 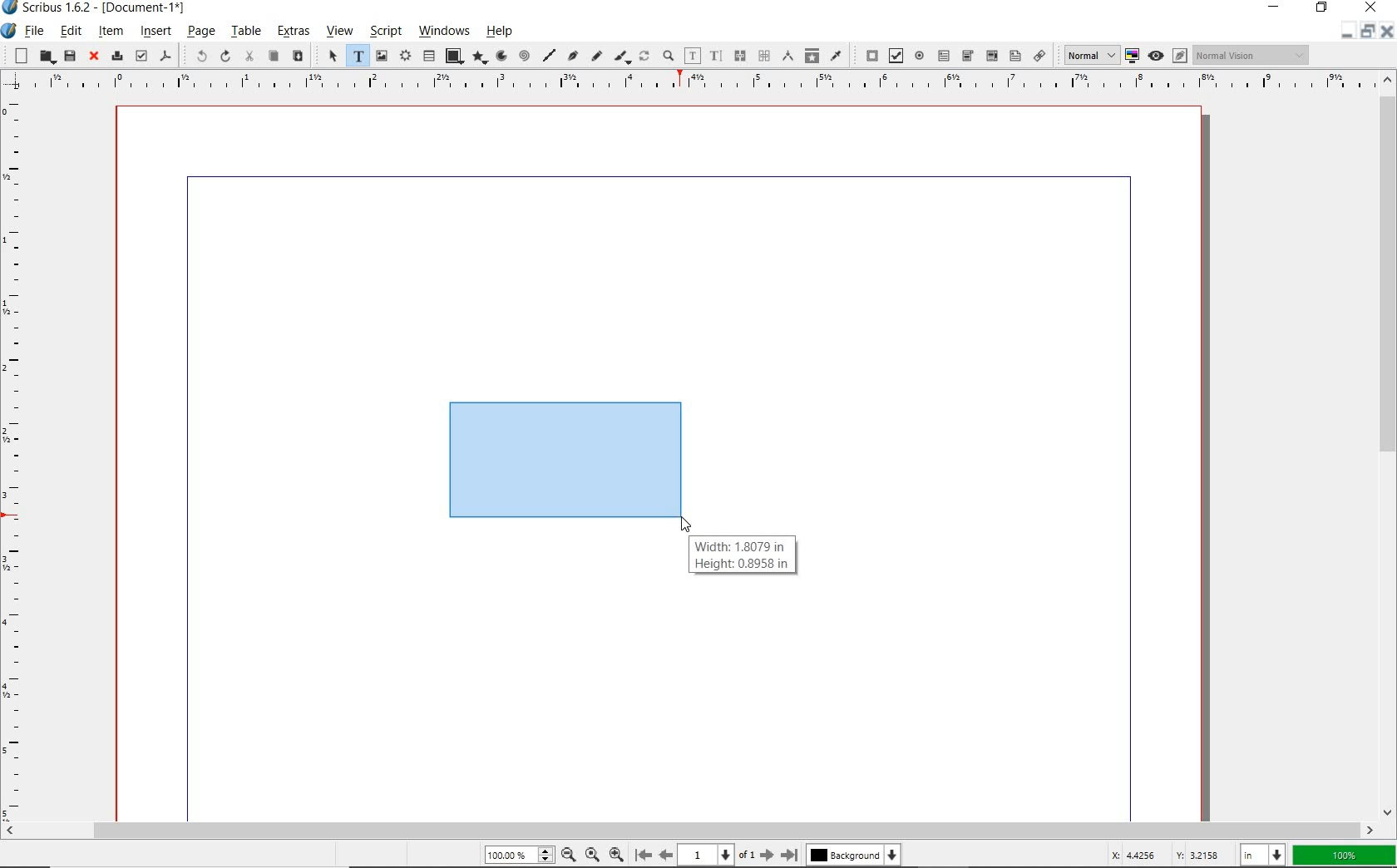 What do you see at coordinates (597, 57) in the screenshot?
I see `freehand line` at bounding box center [597, 57].